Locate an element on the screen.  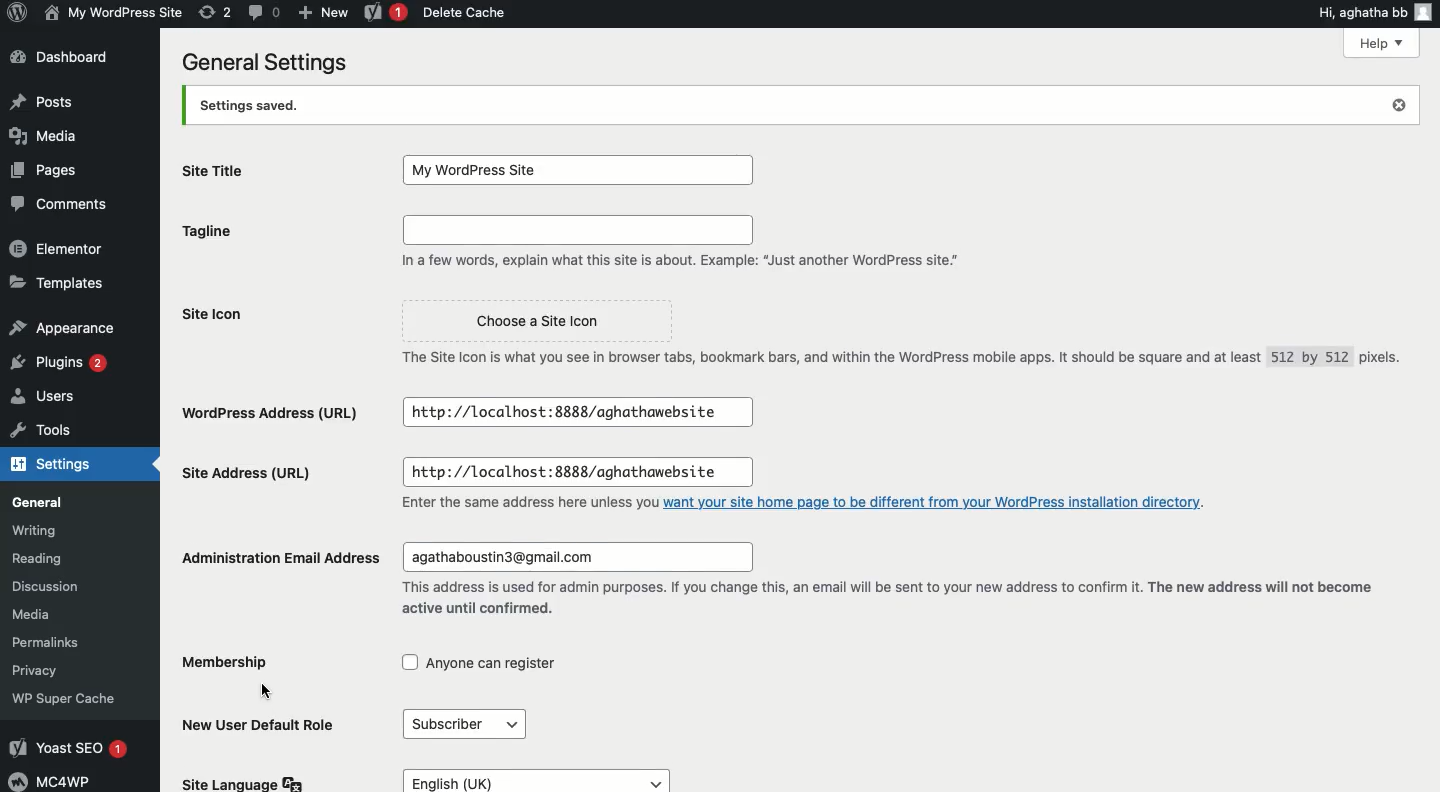
The Site Icon is what you see in browser tabs, bookmark bars, and within the WordPress mobile apps. It should be square and at least 512 by 512 pixels. is located at coordinates (902, 360).